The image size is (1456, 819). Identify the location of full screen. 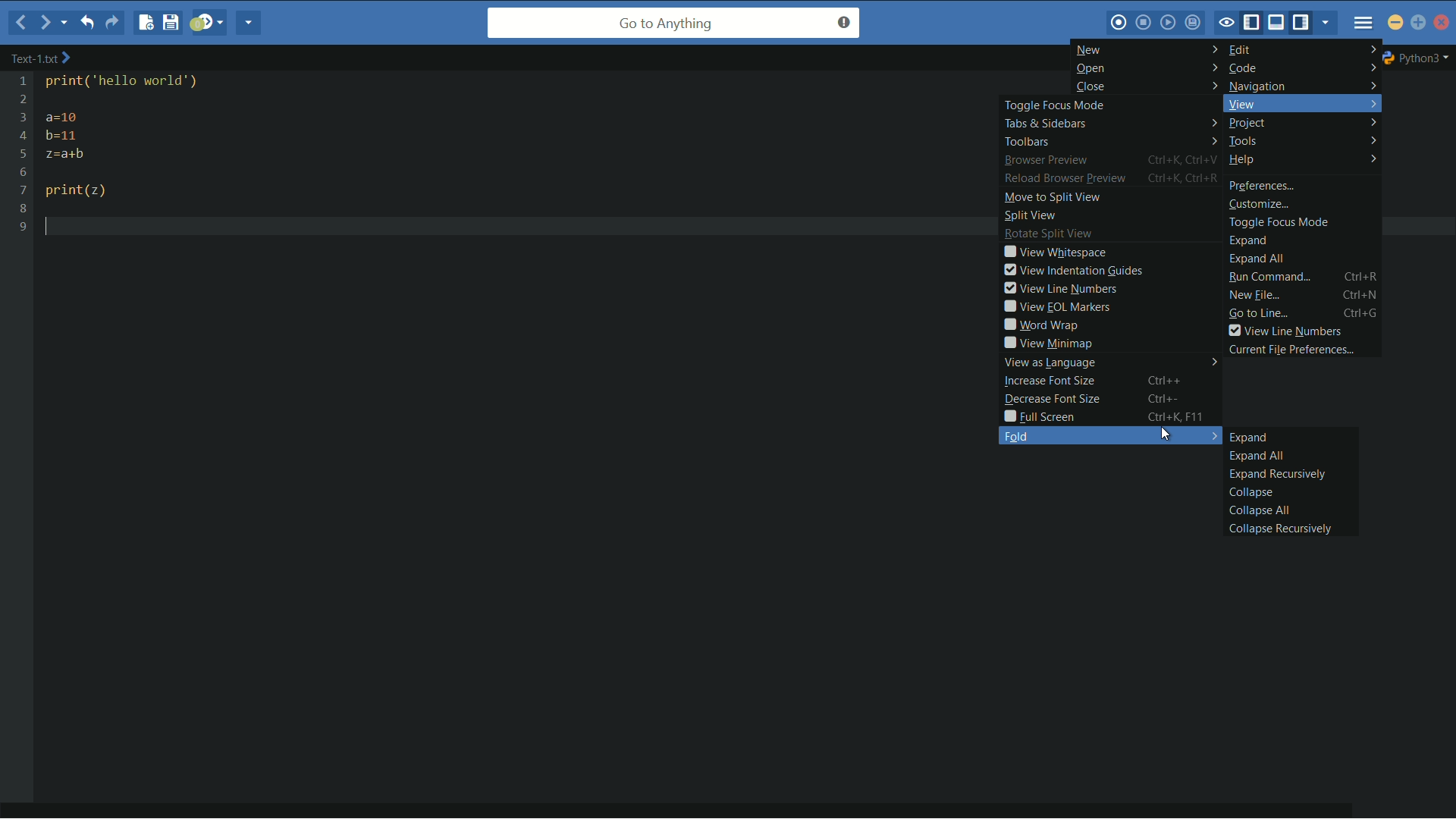
(1039, 418).